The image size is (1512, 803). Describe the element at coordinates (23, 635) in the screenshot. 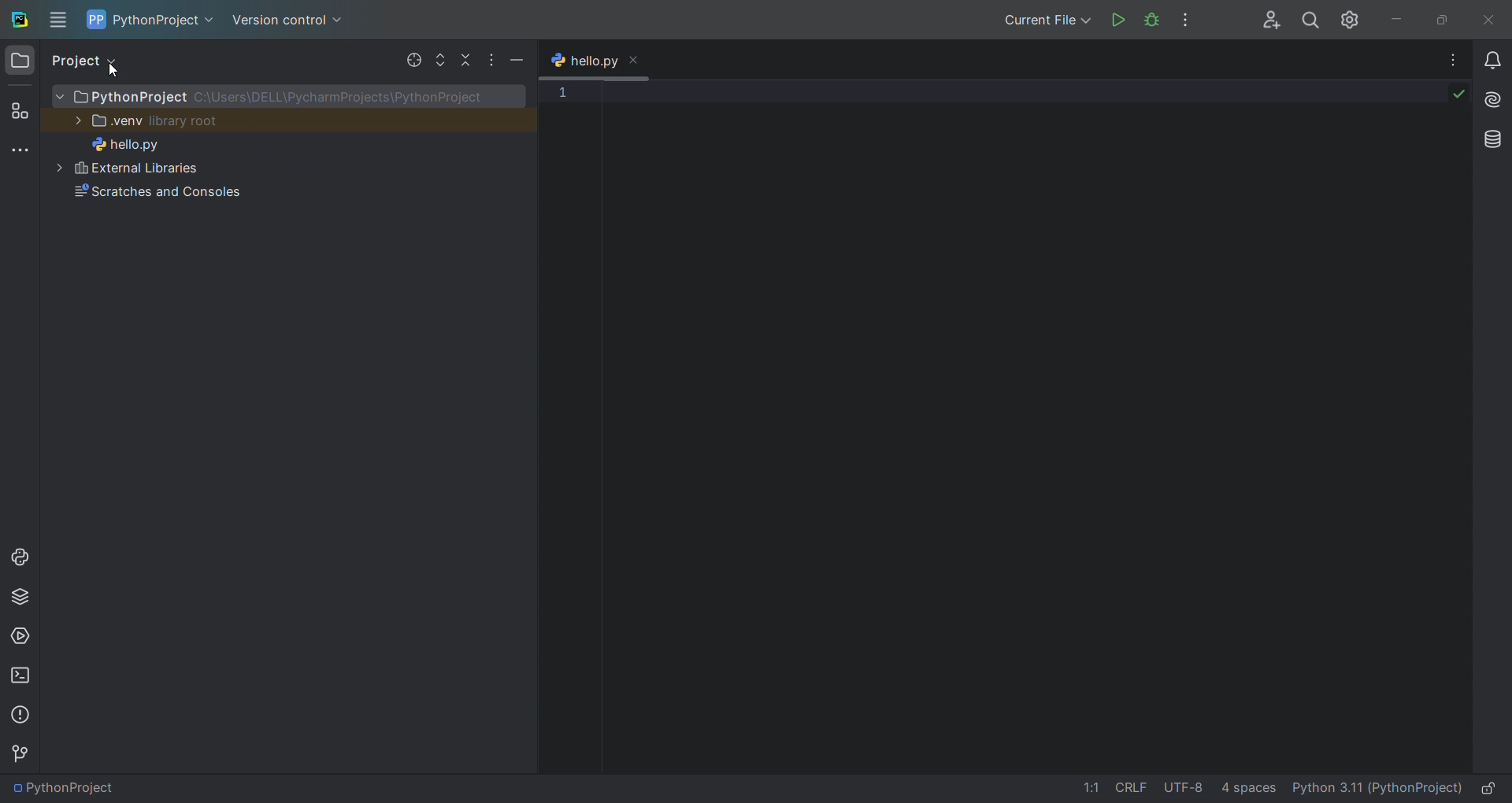

I see `services` at that location.